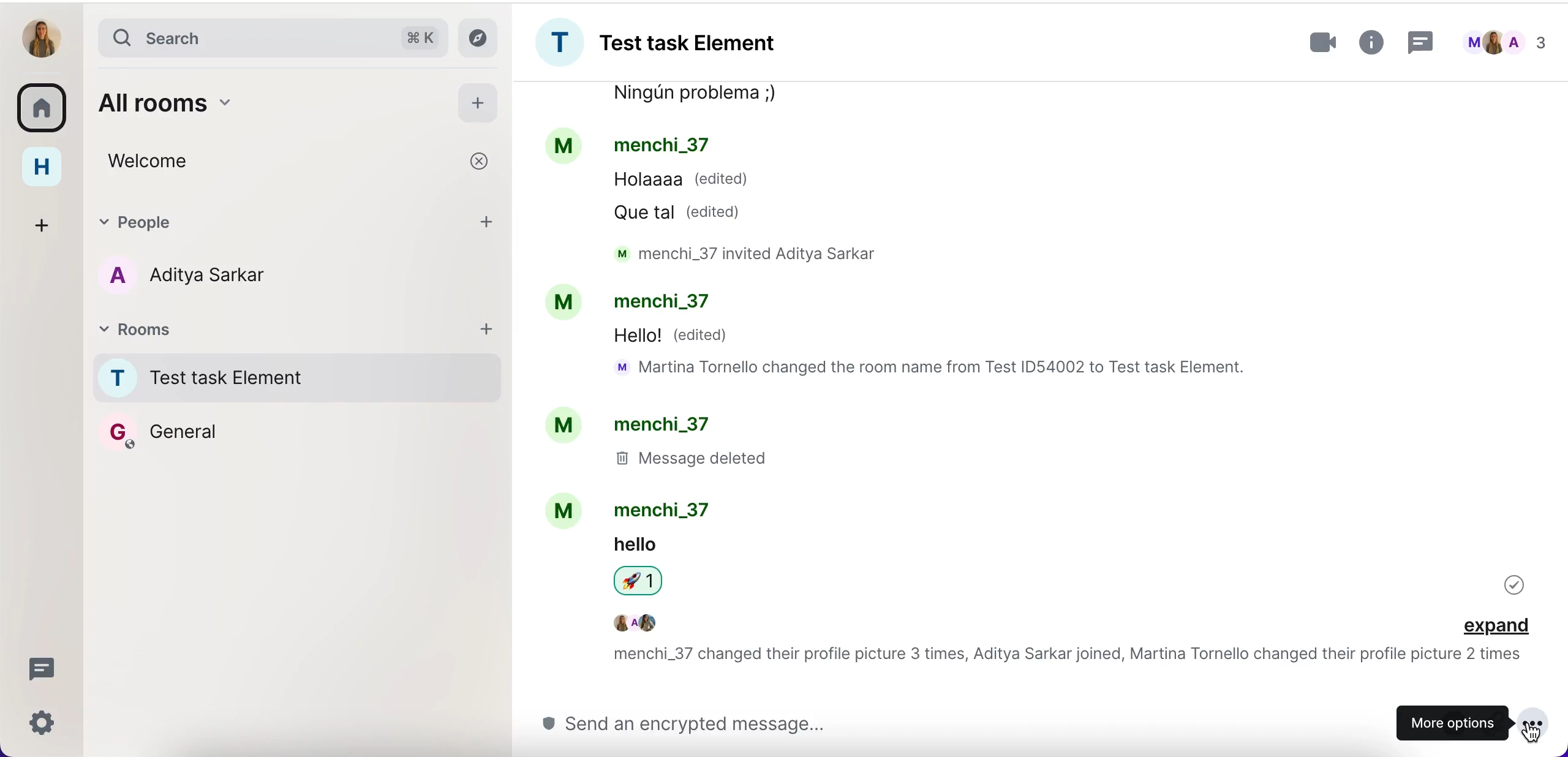 The width and height of the screenshot is (1568, 757). Describe the element at coordinates (45, 170) in the screenshot. I see `home` at that location.